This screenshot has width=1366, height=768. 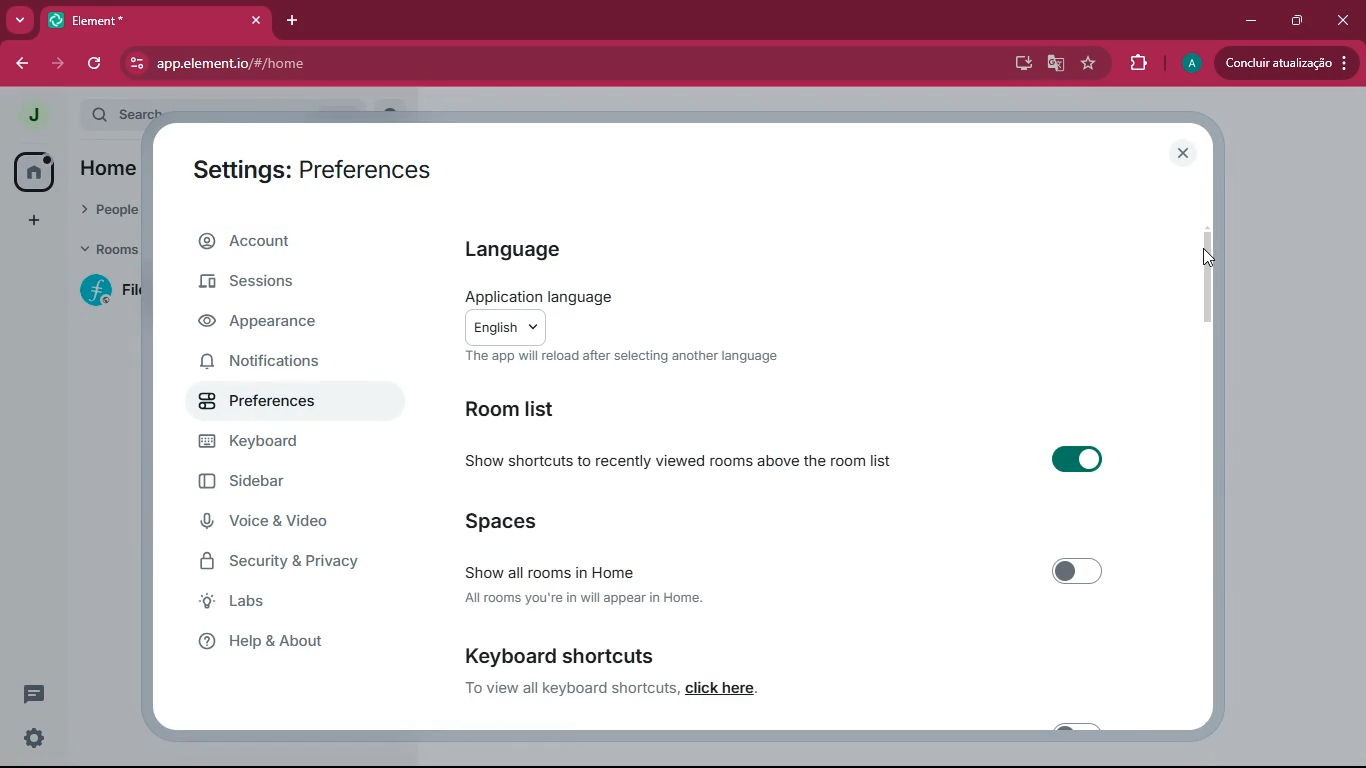 What do you see at coordinates (550, 407) in the screenshot?
I see `room list` at bounding box center [550, 407].